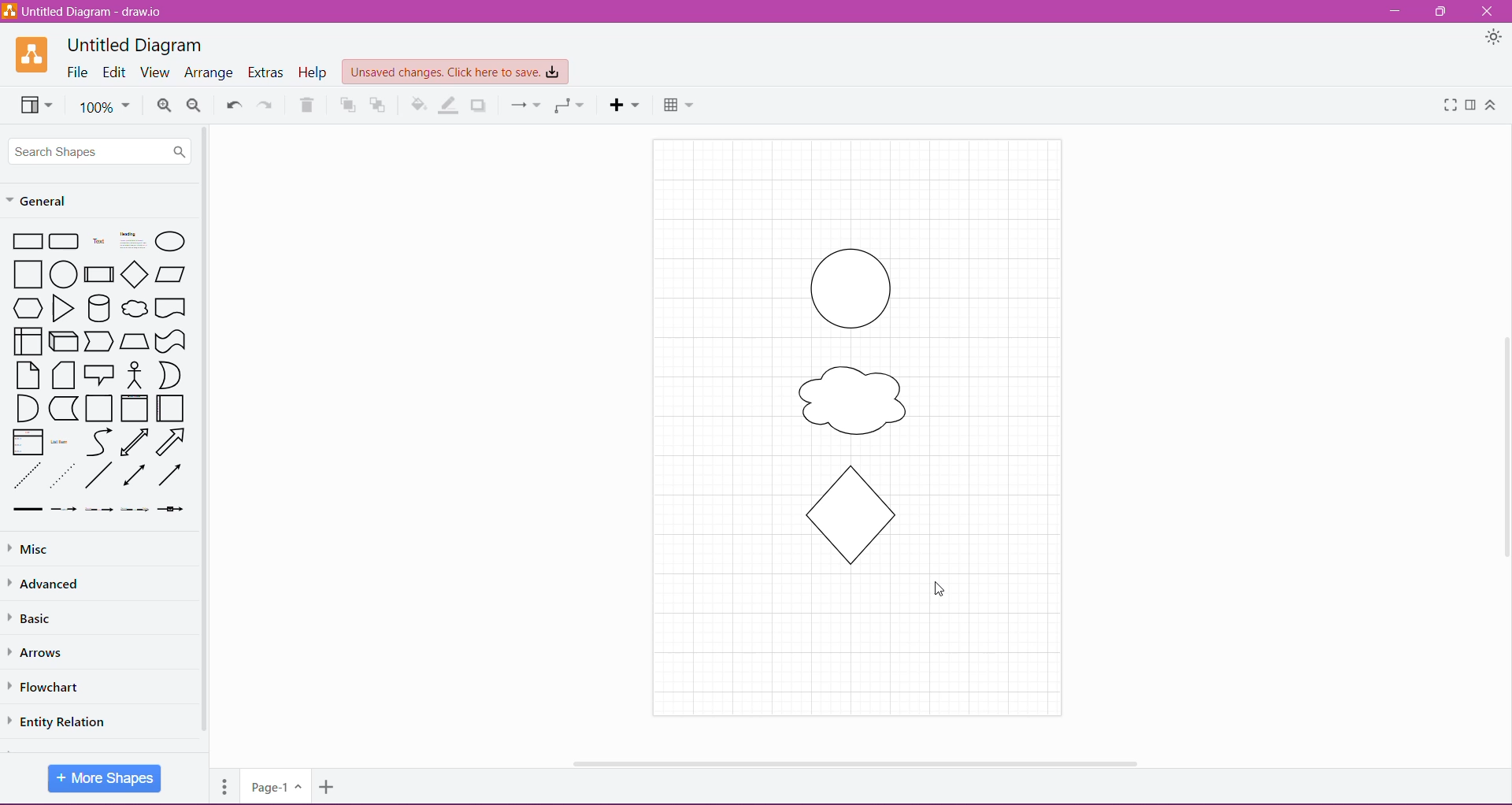 The width and height of the screenshot is (1512, 805). Describe the element at coordinates (307, 105) in the screenshot. I see `Delete` at that location.